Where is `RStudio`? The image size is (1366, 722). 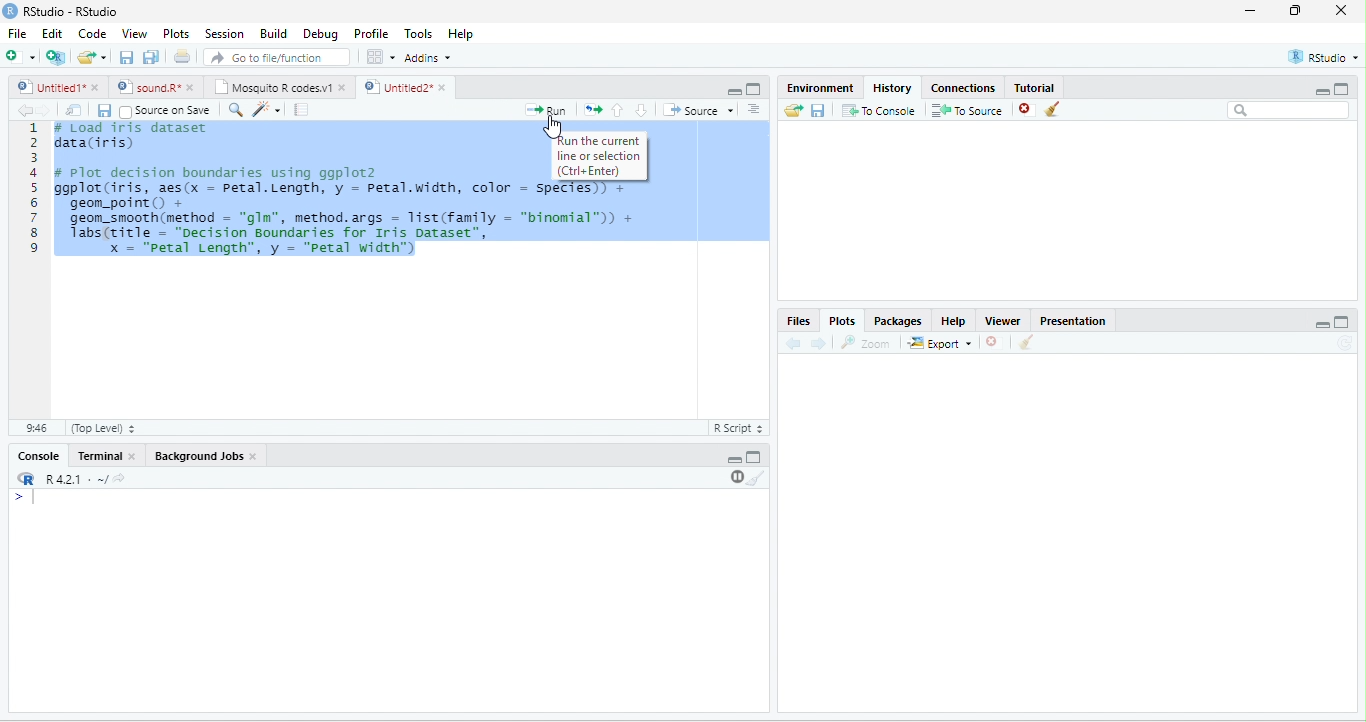
RStudio is located at coordinates (1324, 57).